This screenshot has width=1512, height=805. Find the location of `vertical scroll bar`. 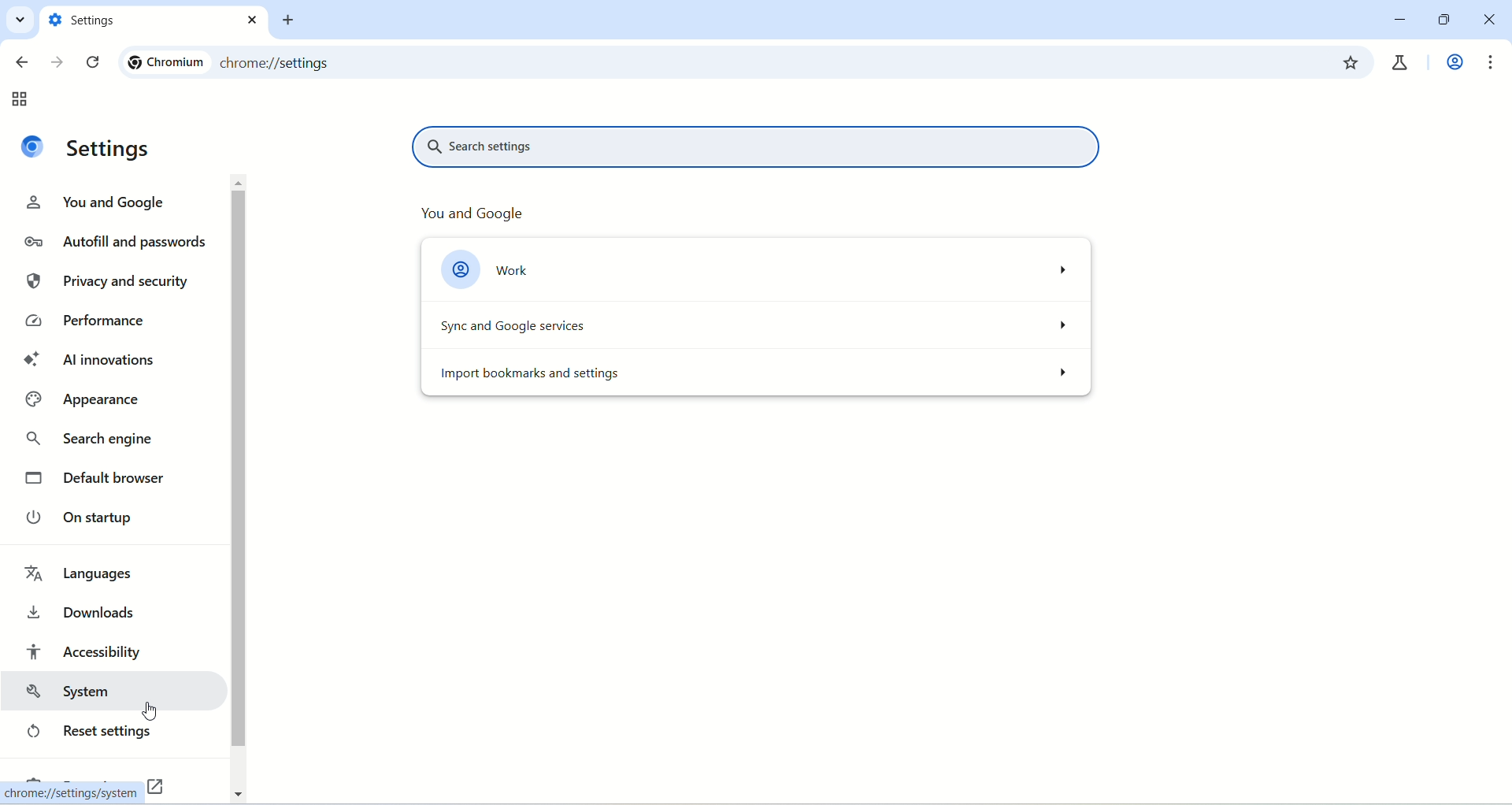

vertical scroll bar is located at coordinates (243, 488).